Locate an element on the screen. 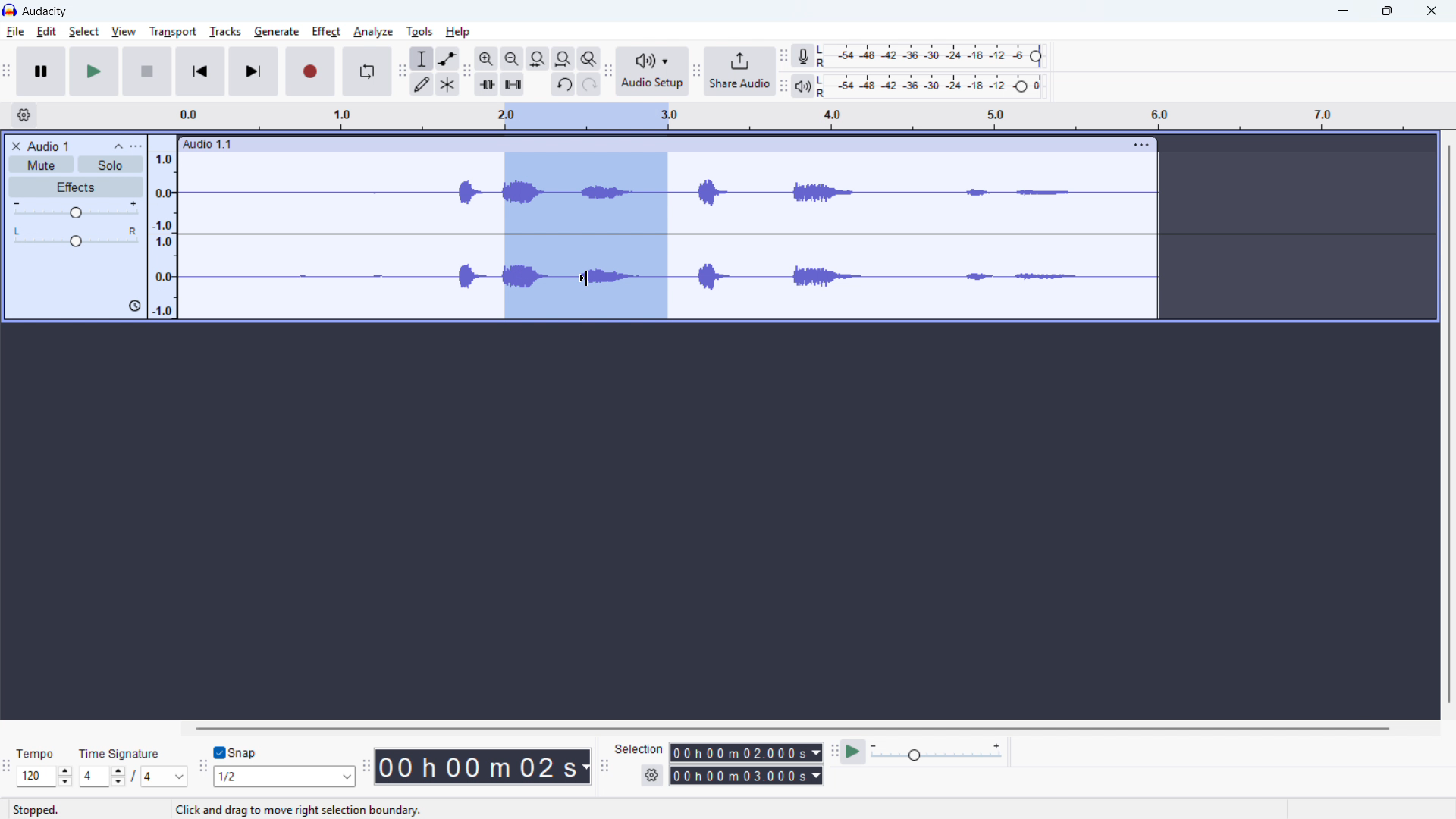  Stopped is located at coordinates (39, 809).